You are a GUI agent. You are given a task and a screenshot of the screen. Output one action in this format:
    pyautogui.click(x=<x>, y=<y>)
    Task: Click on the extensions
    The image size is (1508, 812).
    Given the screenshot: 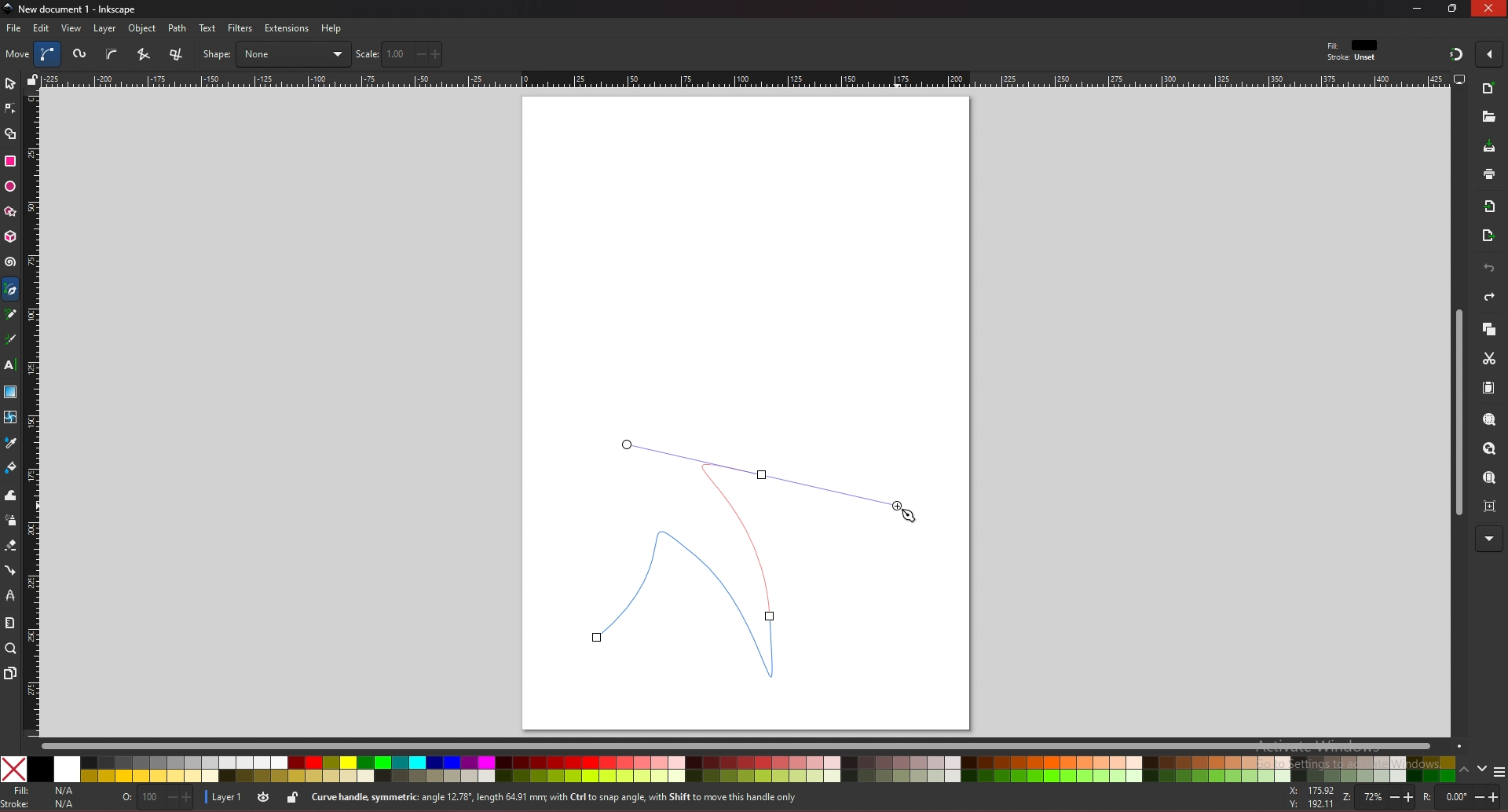 What is the action you would take?
    pyautogui.click(x=286, y=29)
    